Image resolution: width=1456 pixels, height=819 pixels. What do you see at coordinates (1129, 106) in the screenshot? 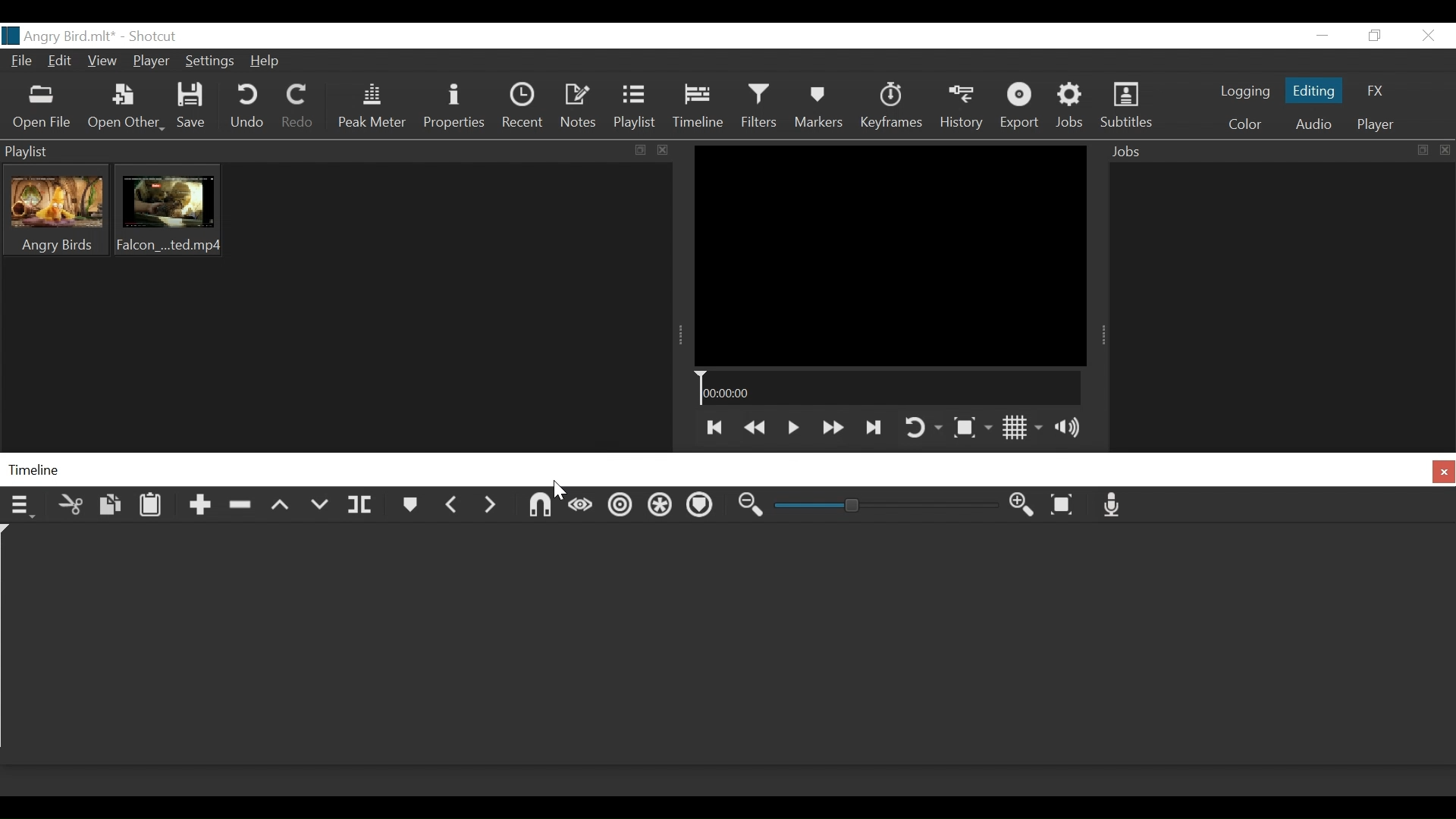
I see `Subtitles` at bounding box center [1129, 106].